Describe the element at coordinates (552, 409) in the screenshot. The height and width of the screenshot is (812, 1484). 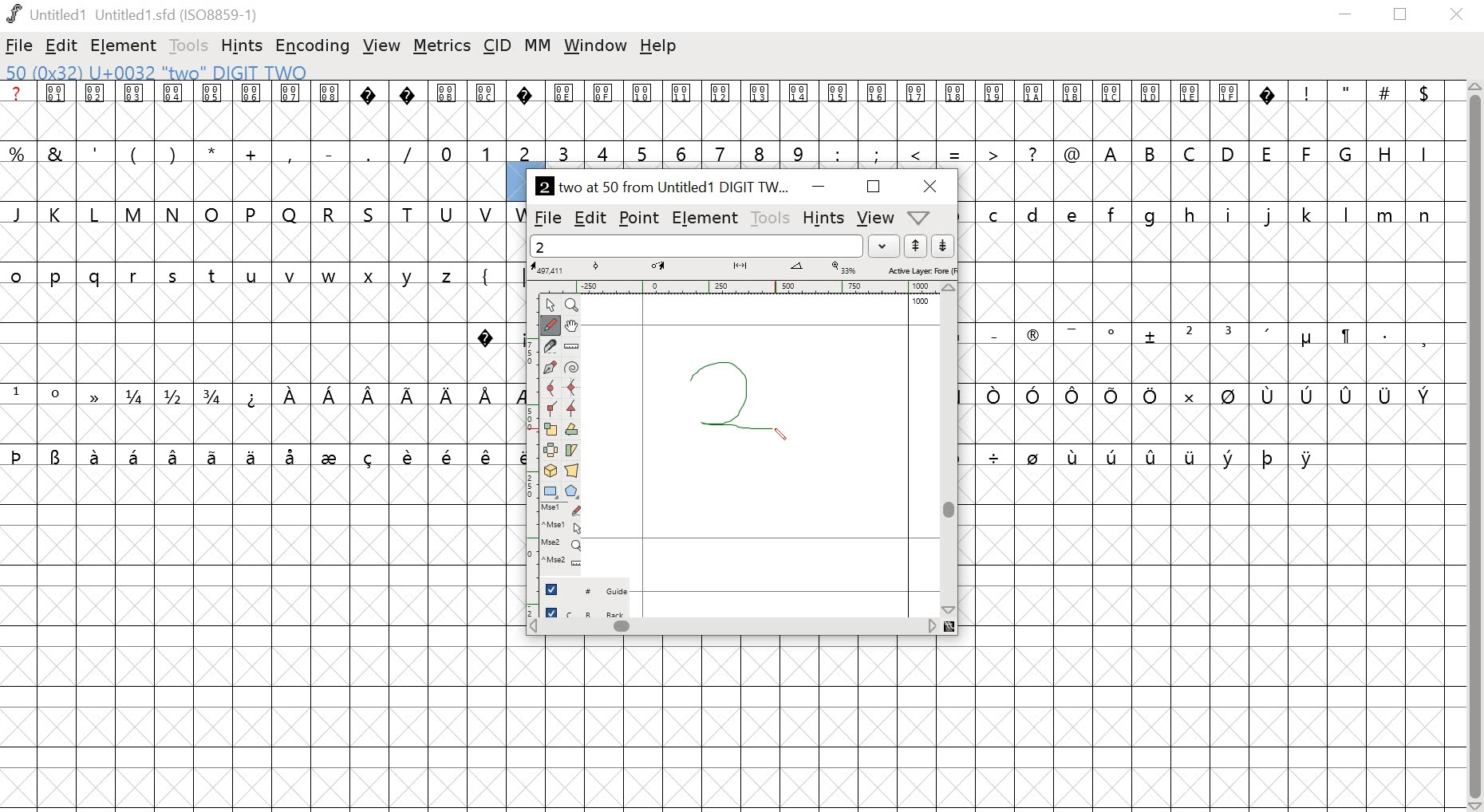
I see `corner` at that location.